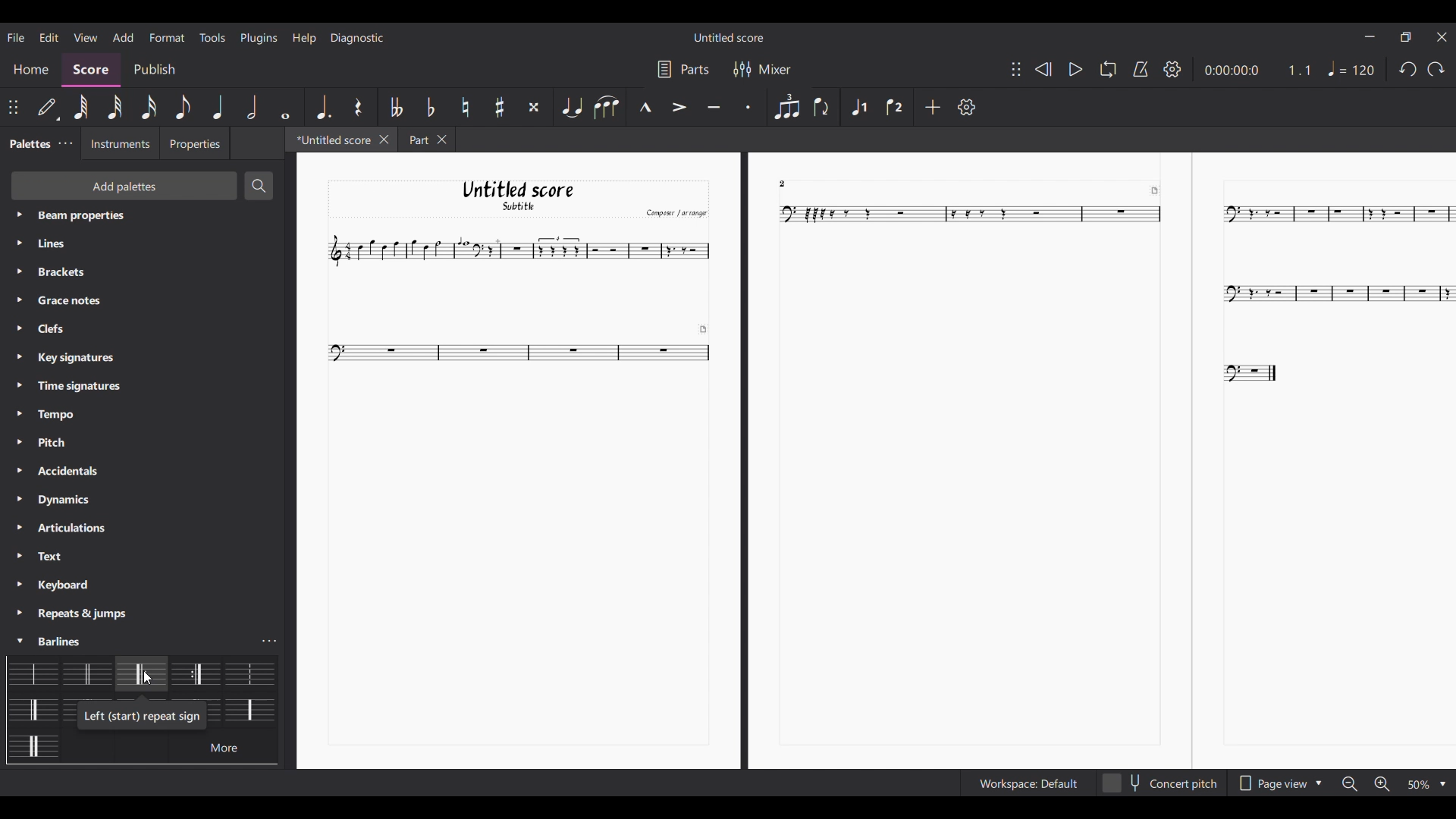 The height and width of the screenshot is (819, 1456). Describe the element at coordinates (1436, 69) in the screenshot. I see `Redo` at that location.